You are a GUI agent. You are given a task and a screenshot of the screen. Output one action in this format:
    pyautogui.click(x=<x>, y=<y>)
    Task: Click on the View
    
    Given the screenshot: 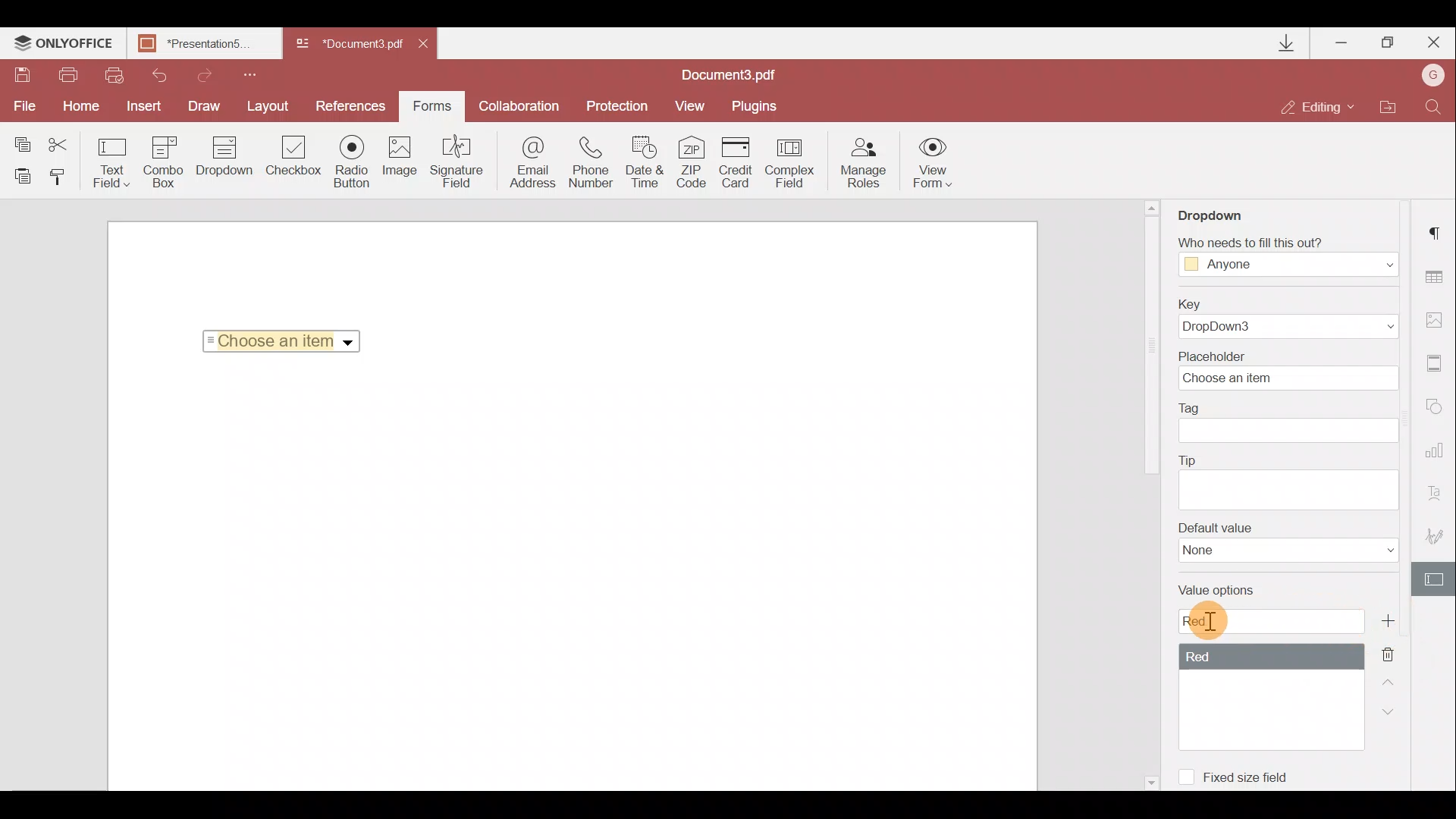 What is the action you would take?
    pyautogui.click(x=695, y=106)
    